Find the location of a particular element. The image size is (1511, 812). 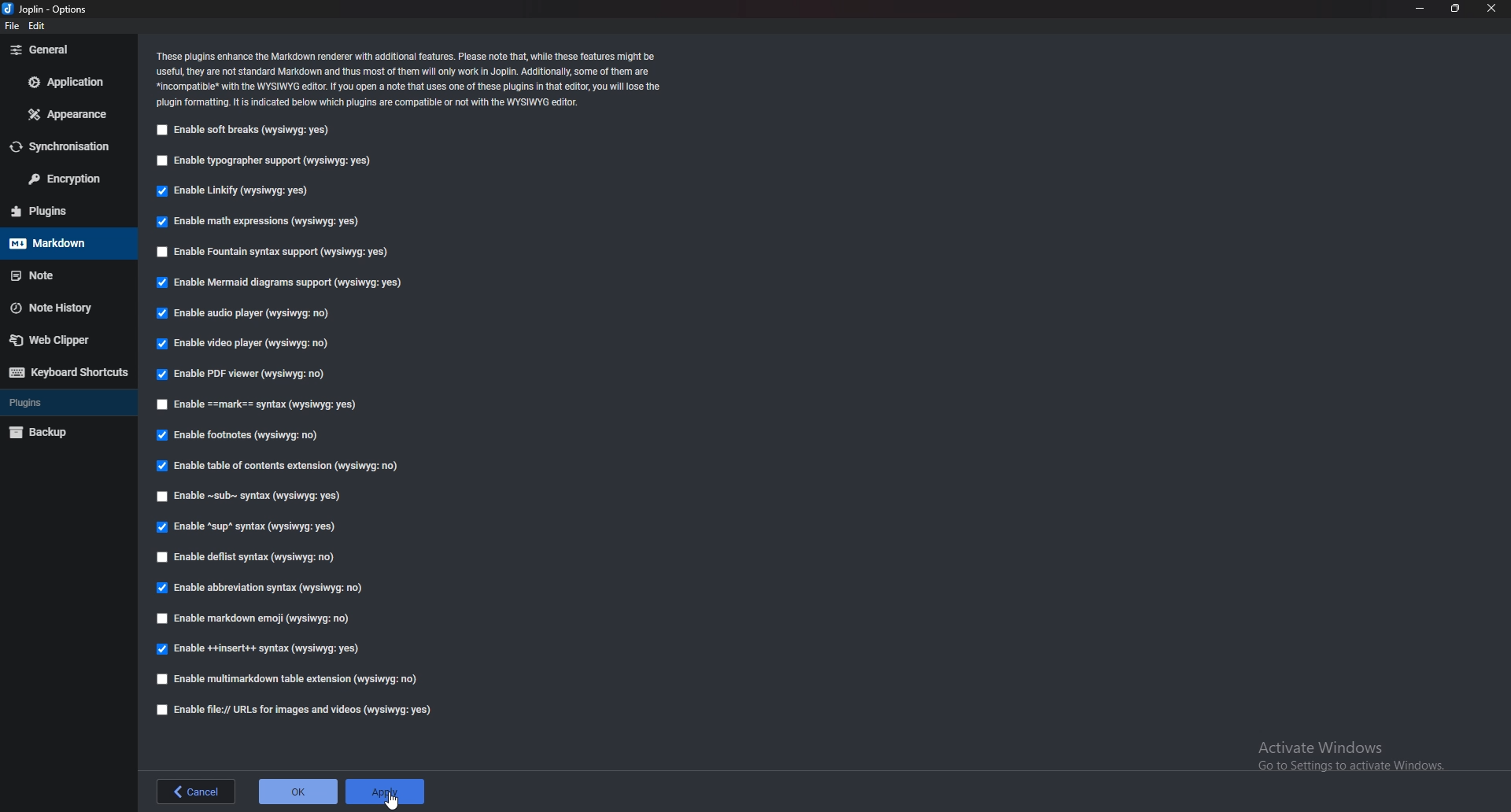

Enable sup syntax is located at coordinates (246, 528).